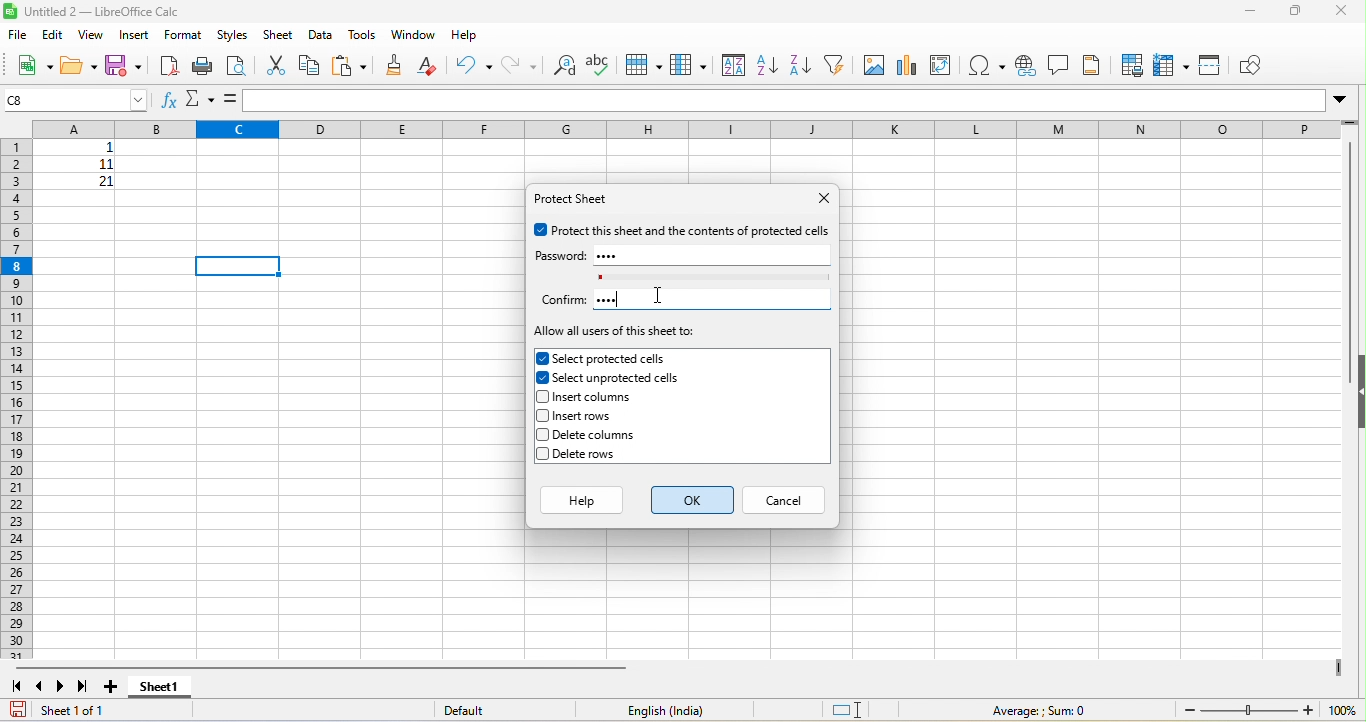  Describe the element at coordinates (1024, 64) in the screenshot. I see `hyperlink` at that location.